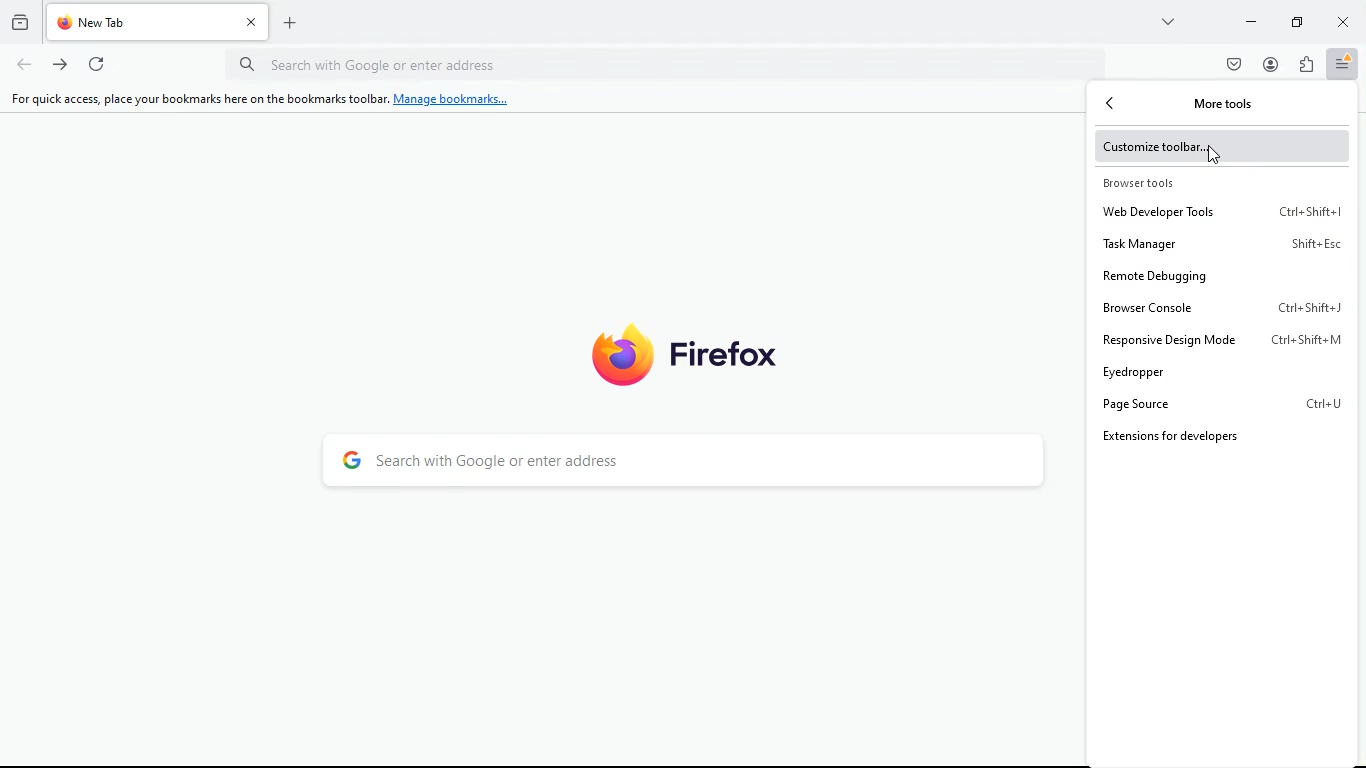 The image size is (1366, 768). Describe the element at coordinates (1223, 273) in the screenshot. I see `remote debuggin` at that location.